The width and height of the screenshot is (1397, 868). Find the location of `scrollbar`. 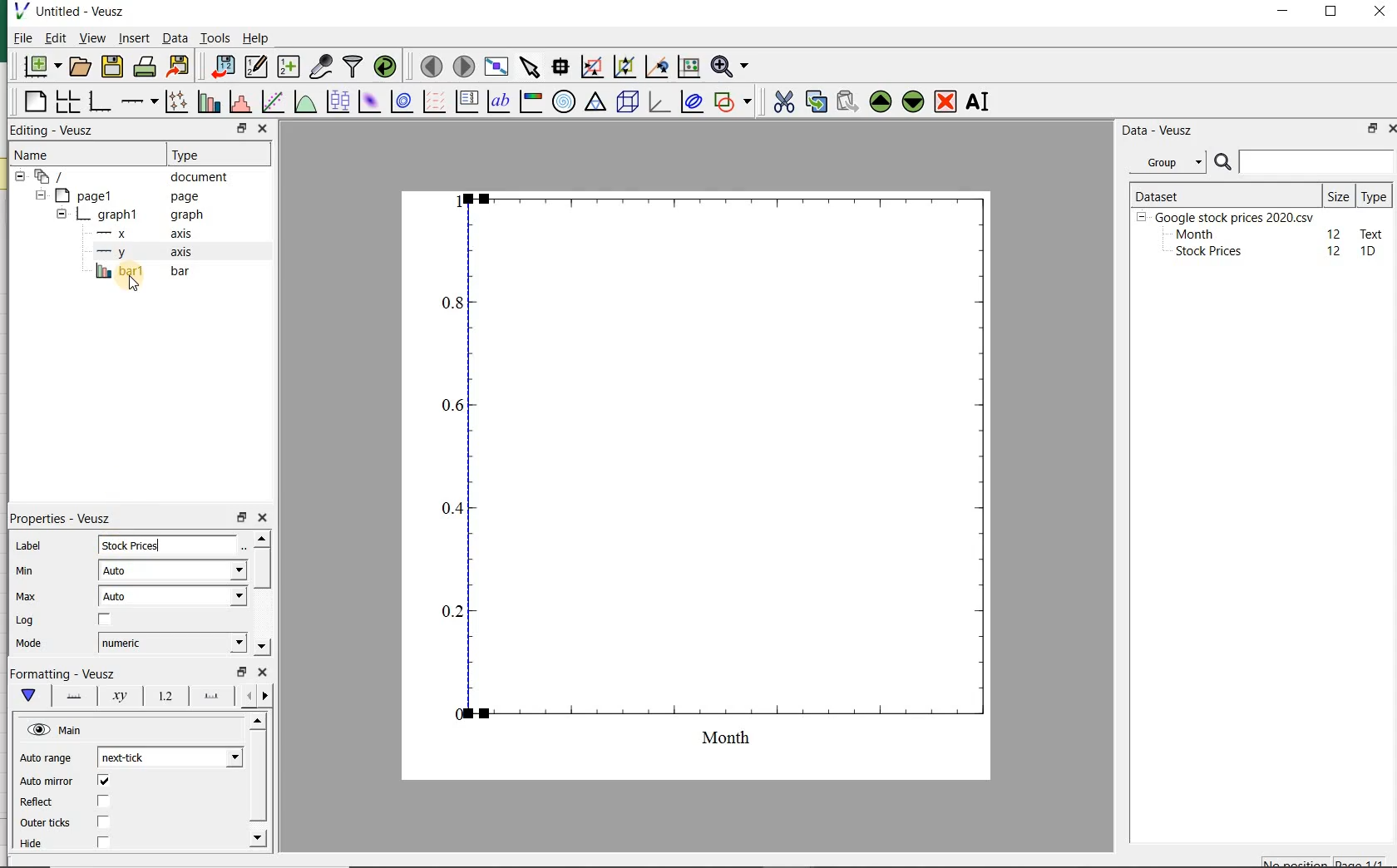

scrollbar is located at coordinates (256, 783).